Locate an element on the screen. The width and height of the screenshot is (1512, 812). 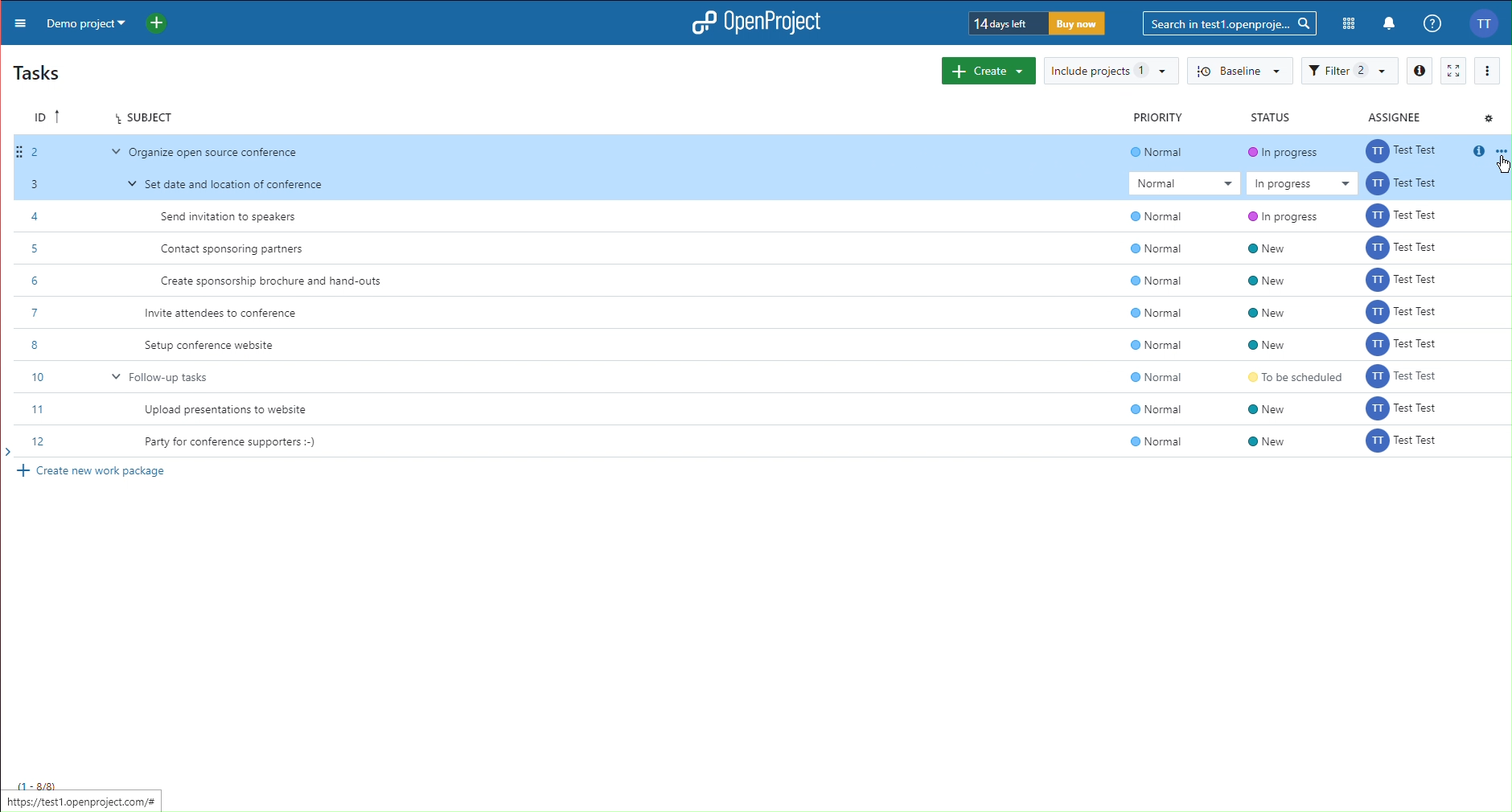
OpenProject is located at coordinates (751, 24).